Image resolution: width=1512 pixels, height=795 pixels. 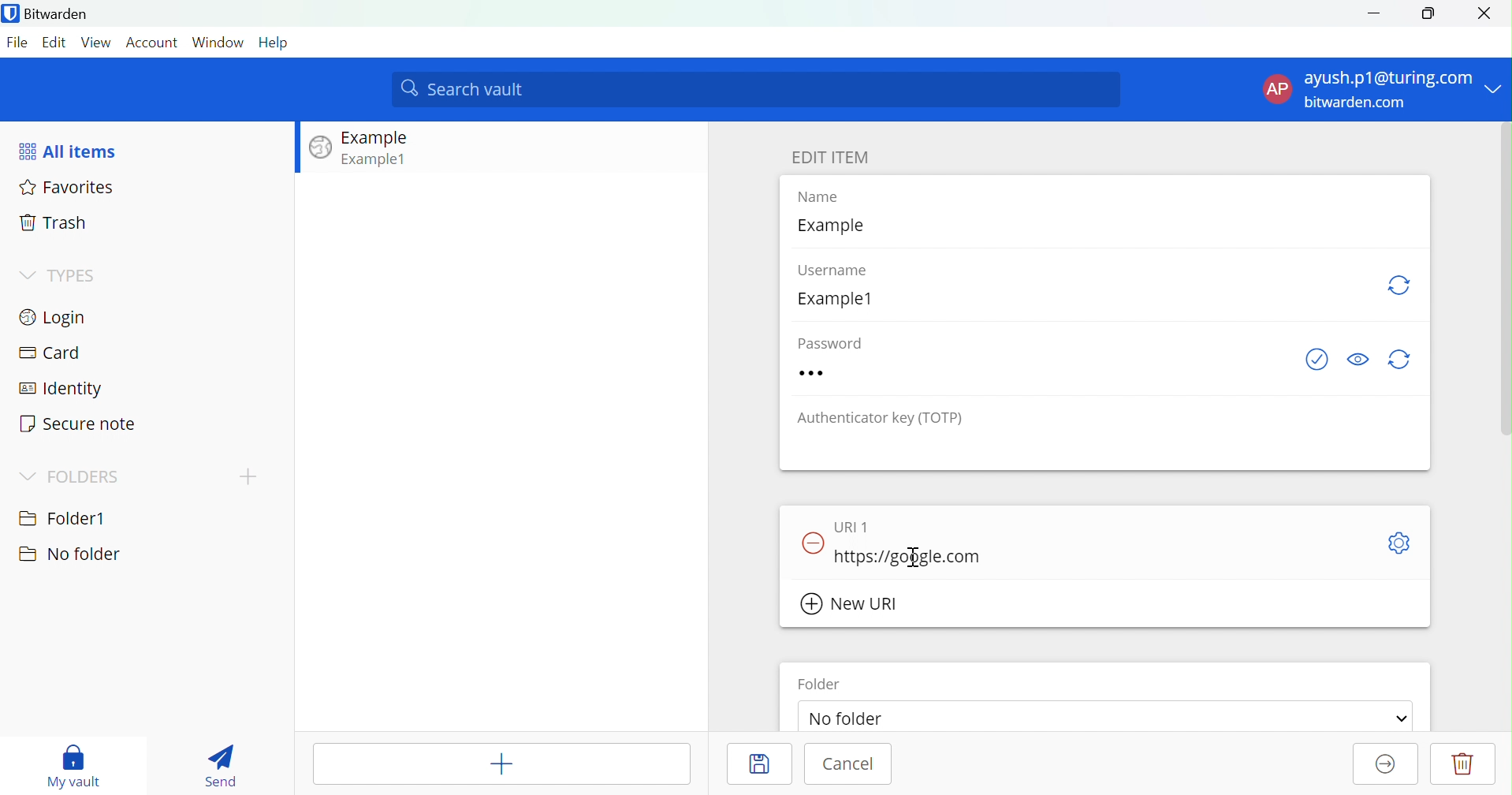 What do you see at coordinates (153, 43) in the screenshot?
I see `Account` at bounding box center [153, 43].